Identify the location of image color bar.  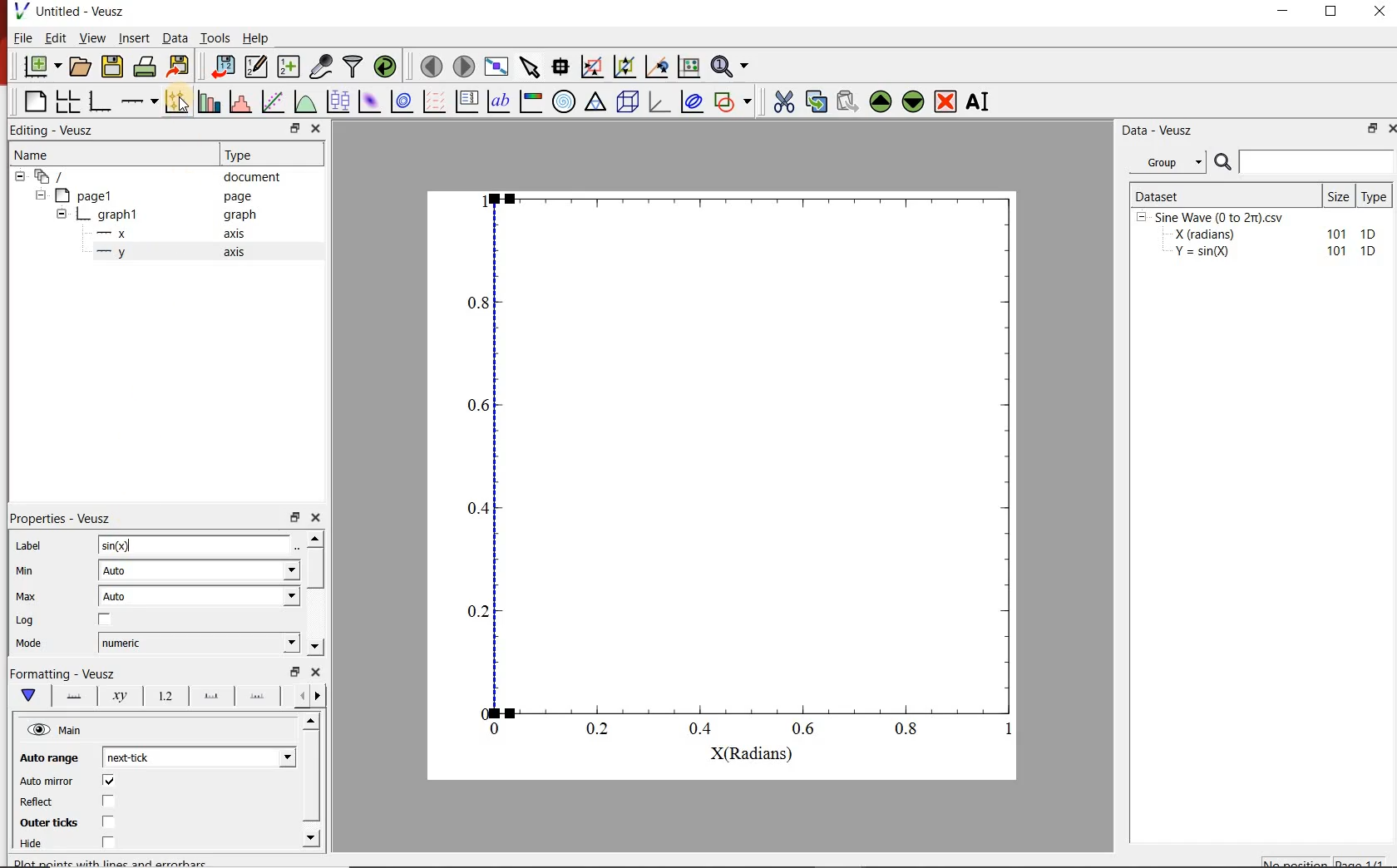
(531, 101).